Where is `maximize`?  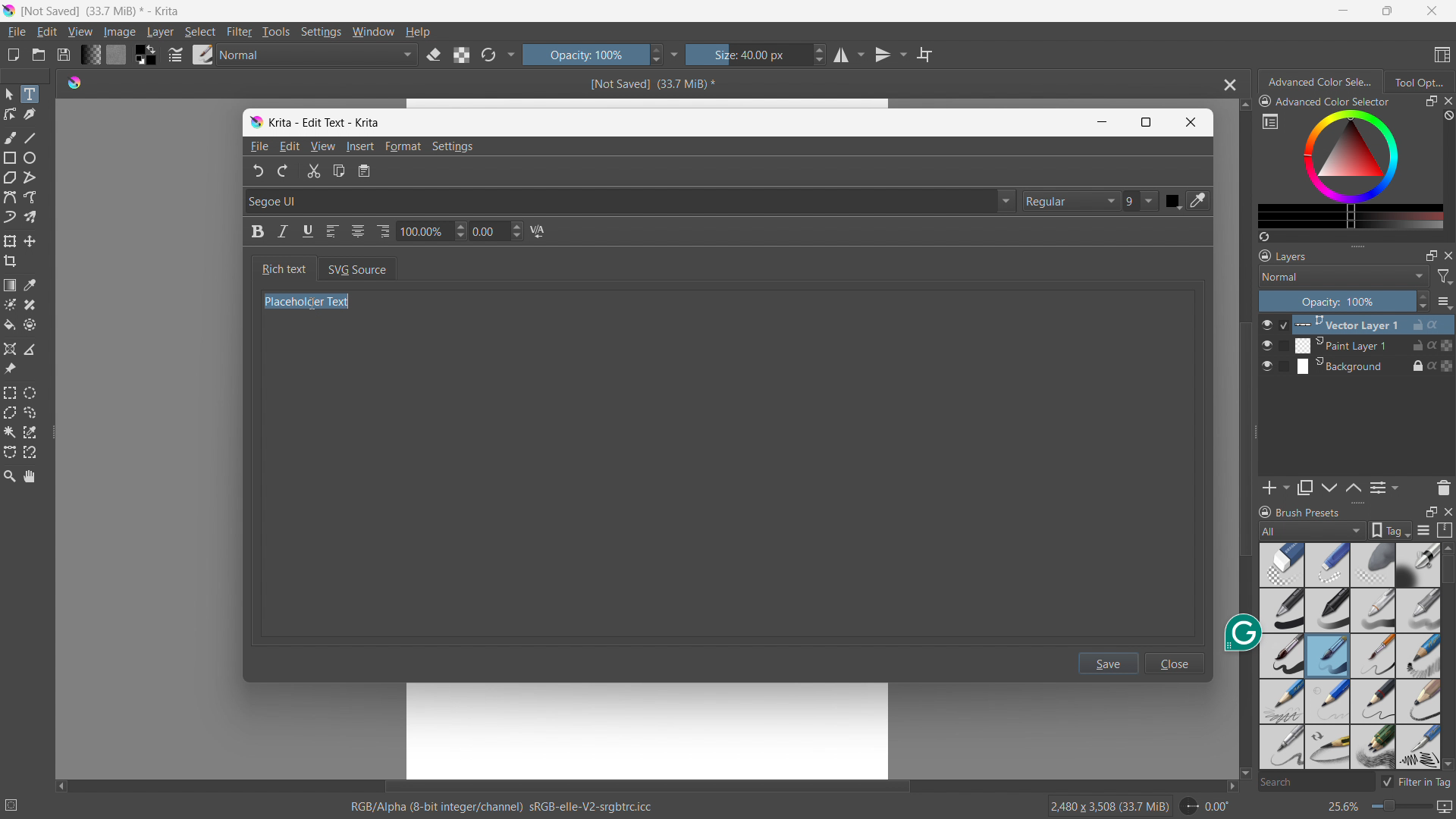 maximize is located at coordinates (1430, 102).